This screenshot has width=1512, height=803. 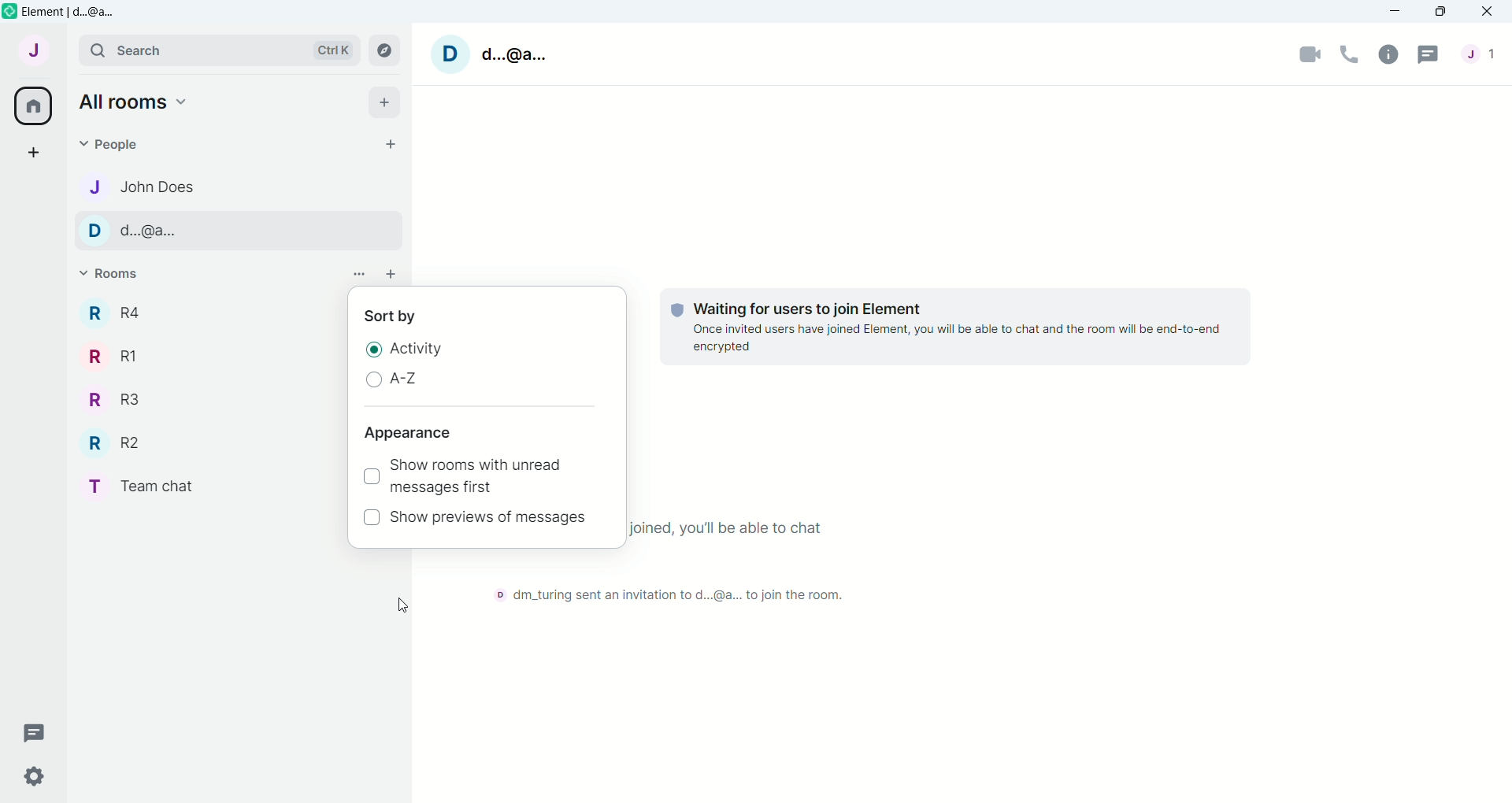 I want to click on Text, so click(x=658, y=590).